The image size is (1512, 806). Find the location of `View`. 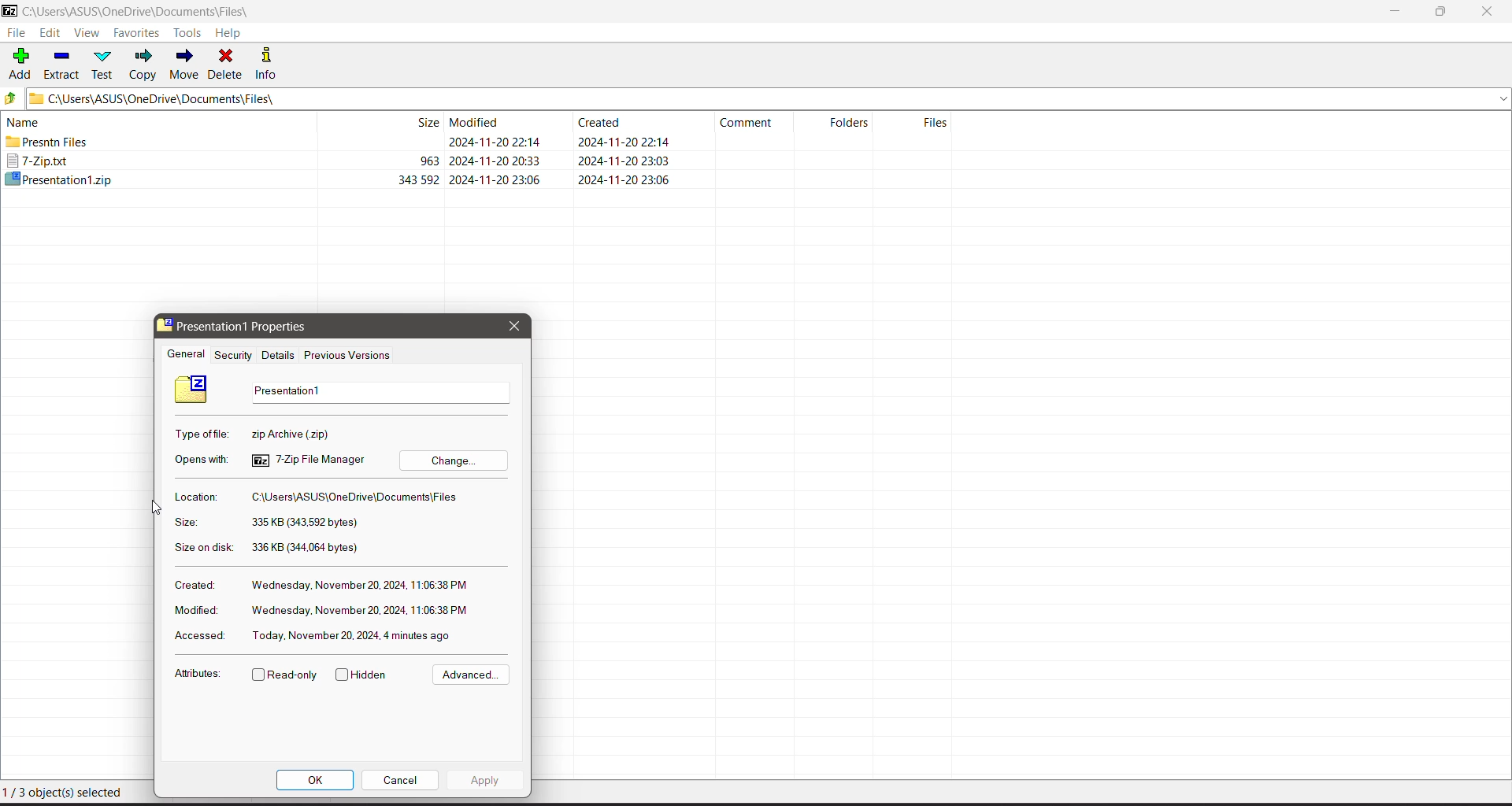

View is located at coordinates (87, 34).